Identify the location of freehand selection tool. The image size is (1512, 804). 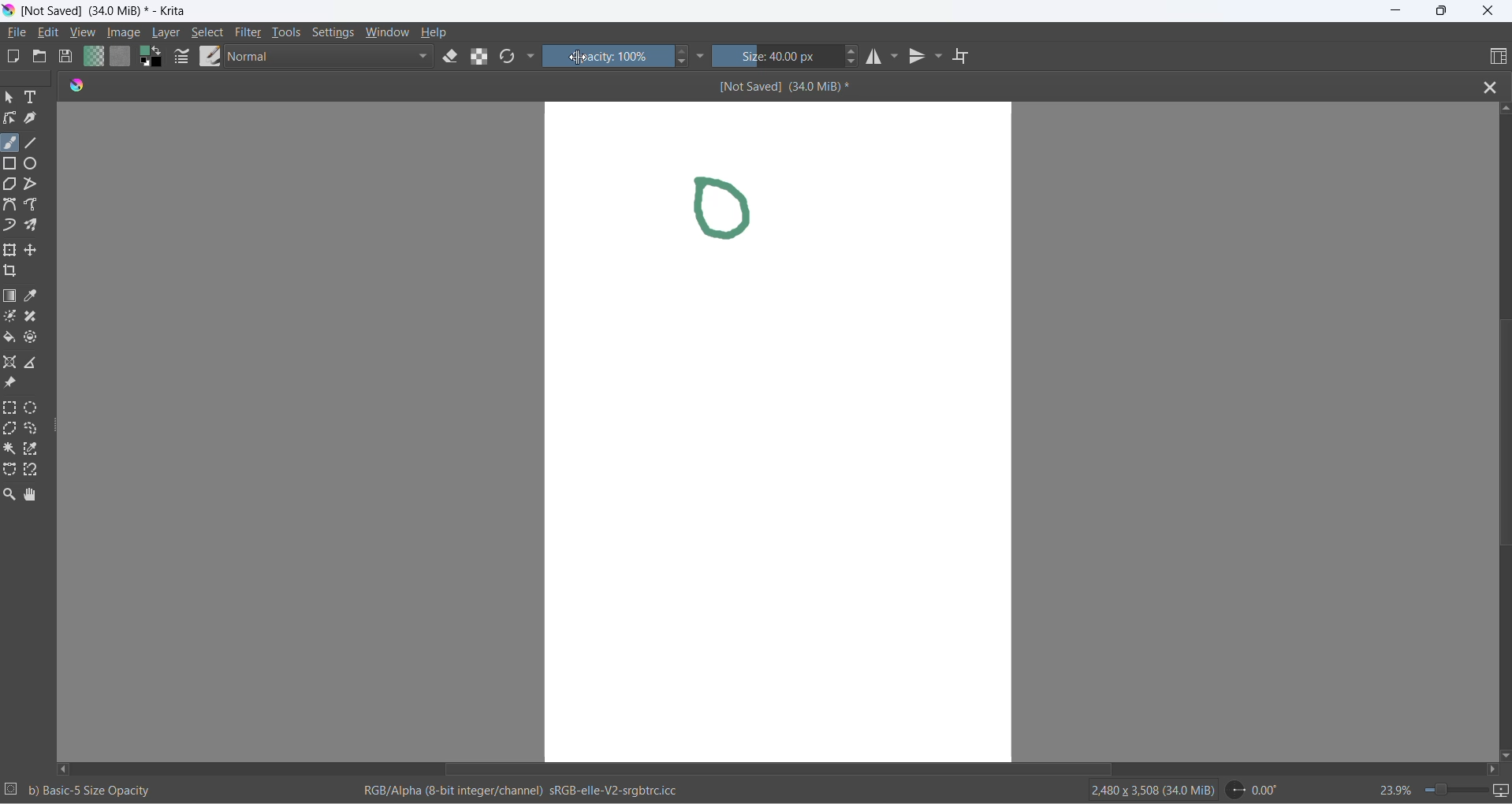
(35, 429).